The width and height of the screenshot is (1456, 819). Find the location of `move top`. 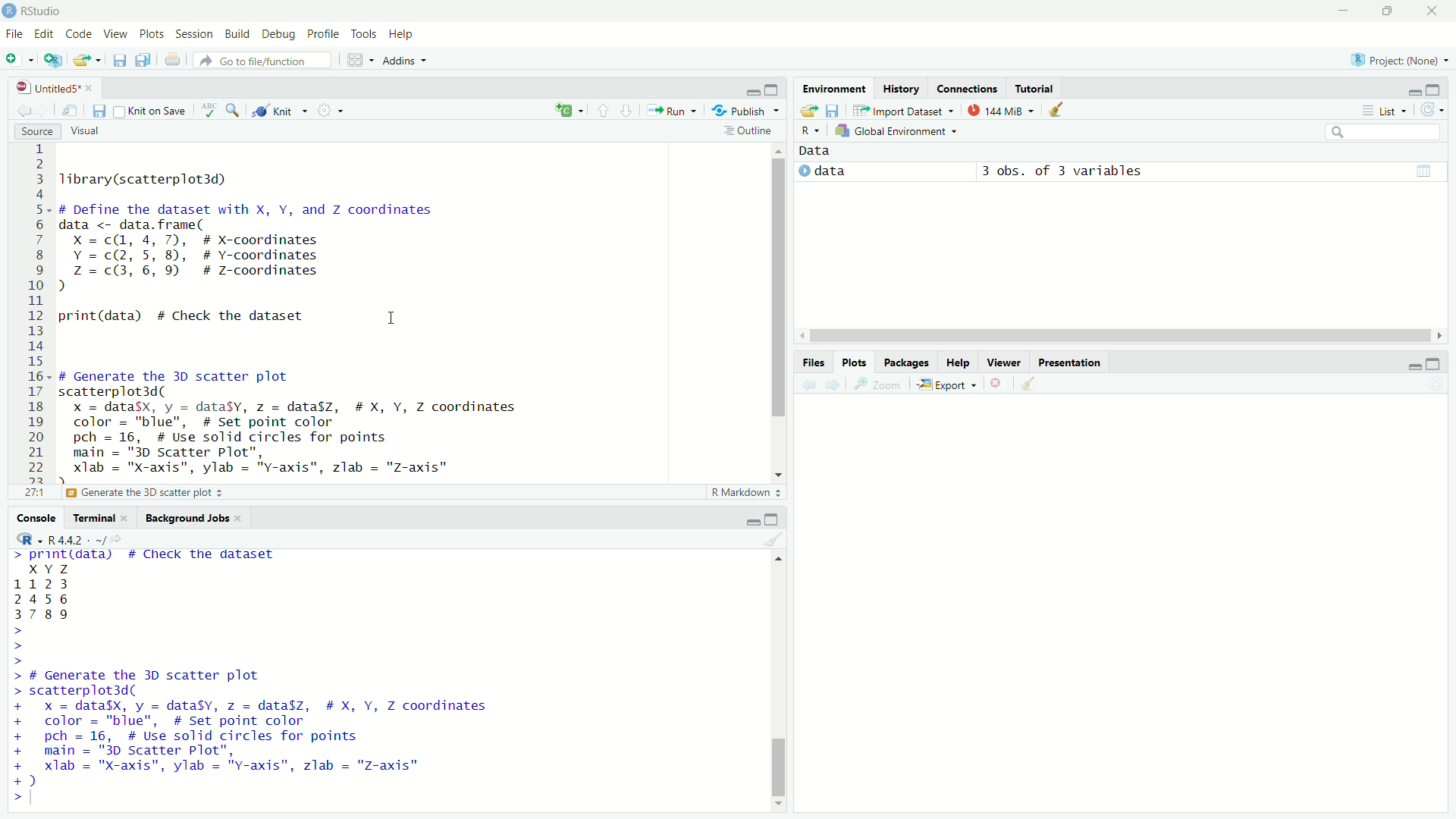

move top is located at coordinates (778, 149).